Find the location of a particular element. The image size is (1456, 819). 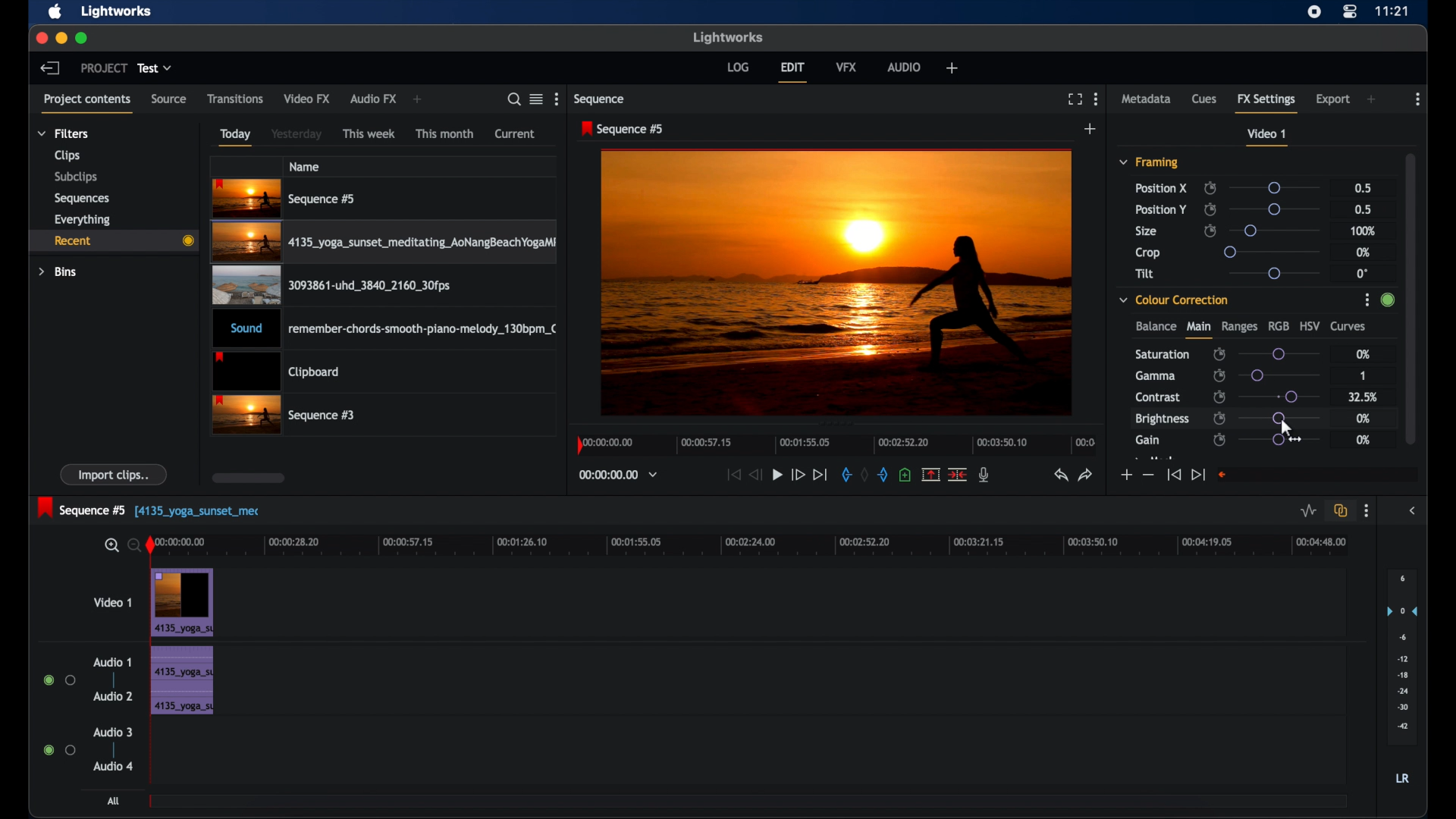

video 1 is located at coordinates (114, 602).